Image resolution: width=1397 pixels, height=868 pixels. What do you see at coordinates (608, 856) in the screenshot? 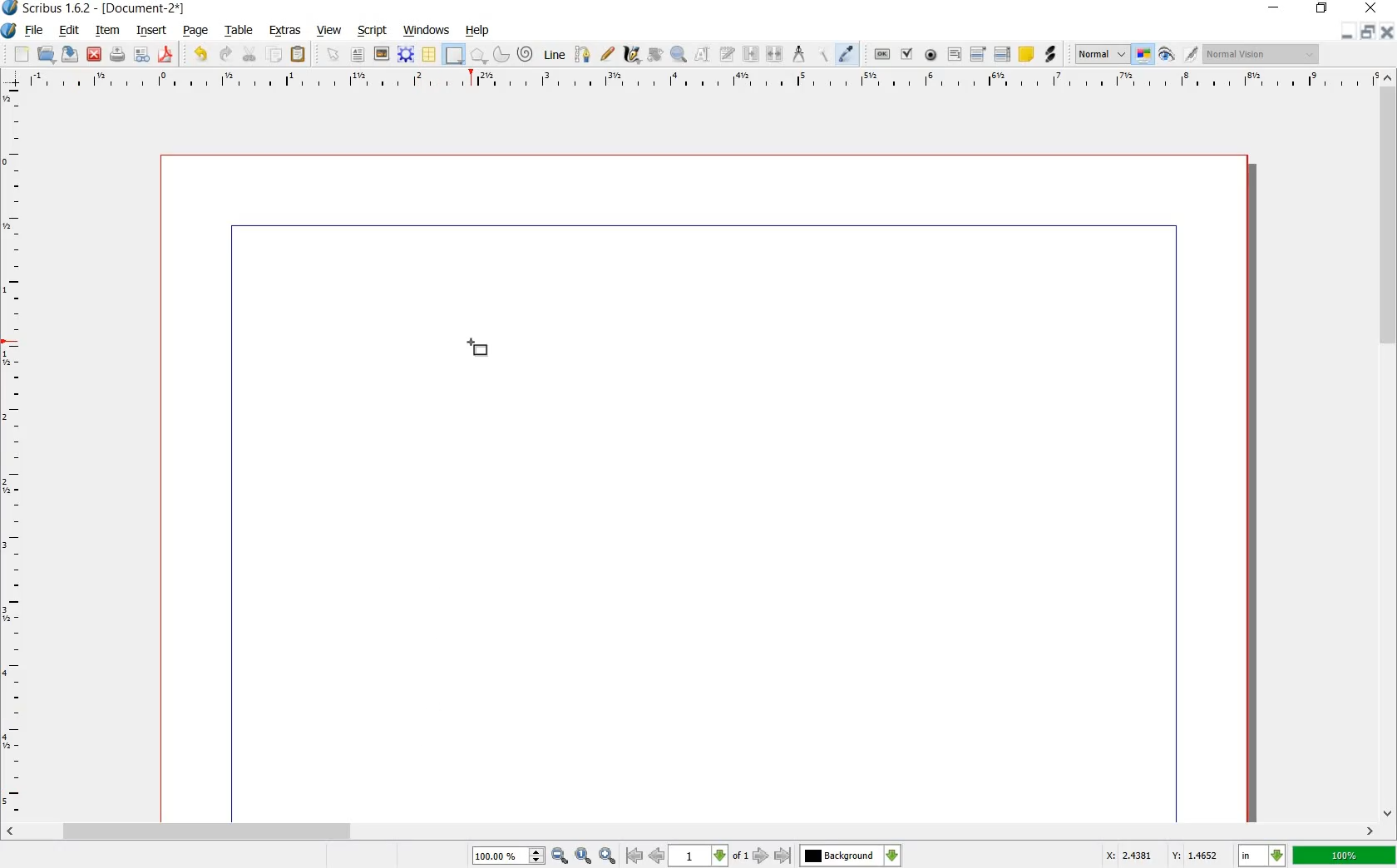
I see `zoom in` at bounding box center [608, 856].